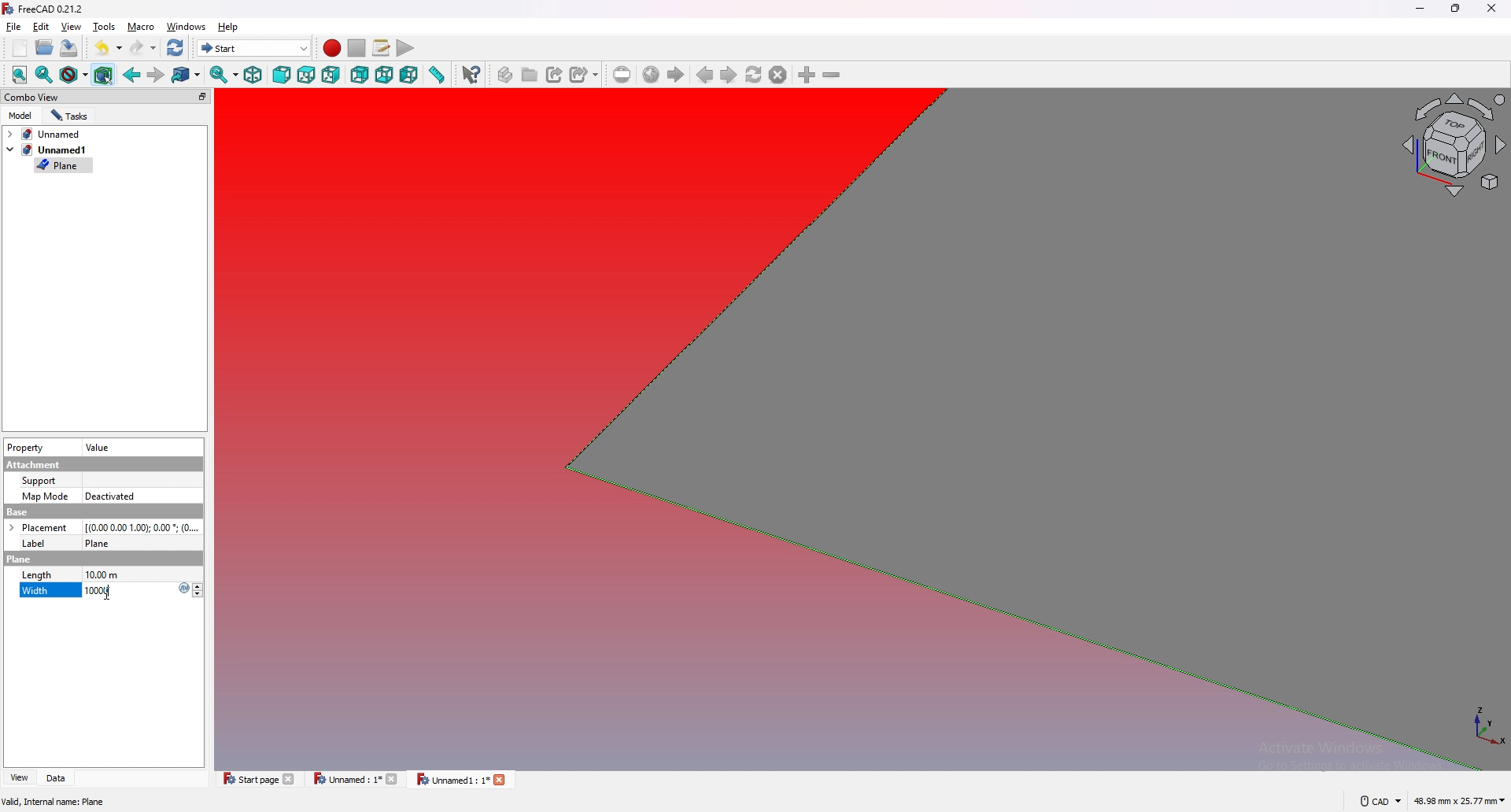 This screenshot has height=812, width=1511. What do you see at coordinates (41, 26) in the screenshot?
I see `edit` at bounding box center [41, 26].